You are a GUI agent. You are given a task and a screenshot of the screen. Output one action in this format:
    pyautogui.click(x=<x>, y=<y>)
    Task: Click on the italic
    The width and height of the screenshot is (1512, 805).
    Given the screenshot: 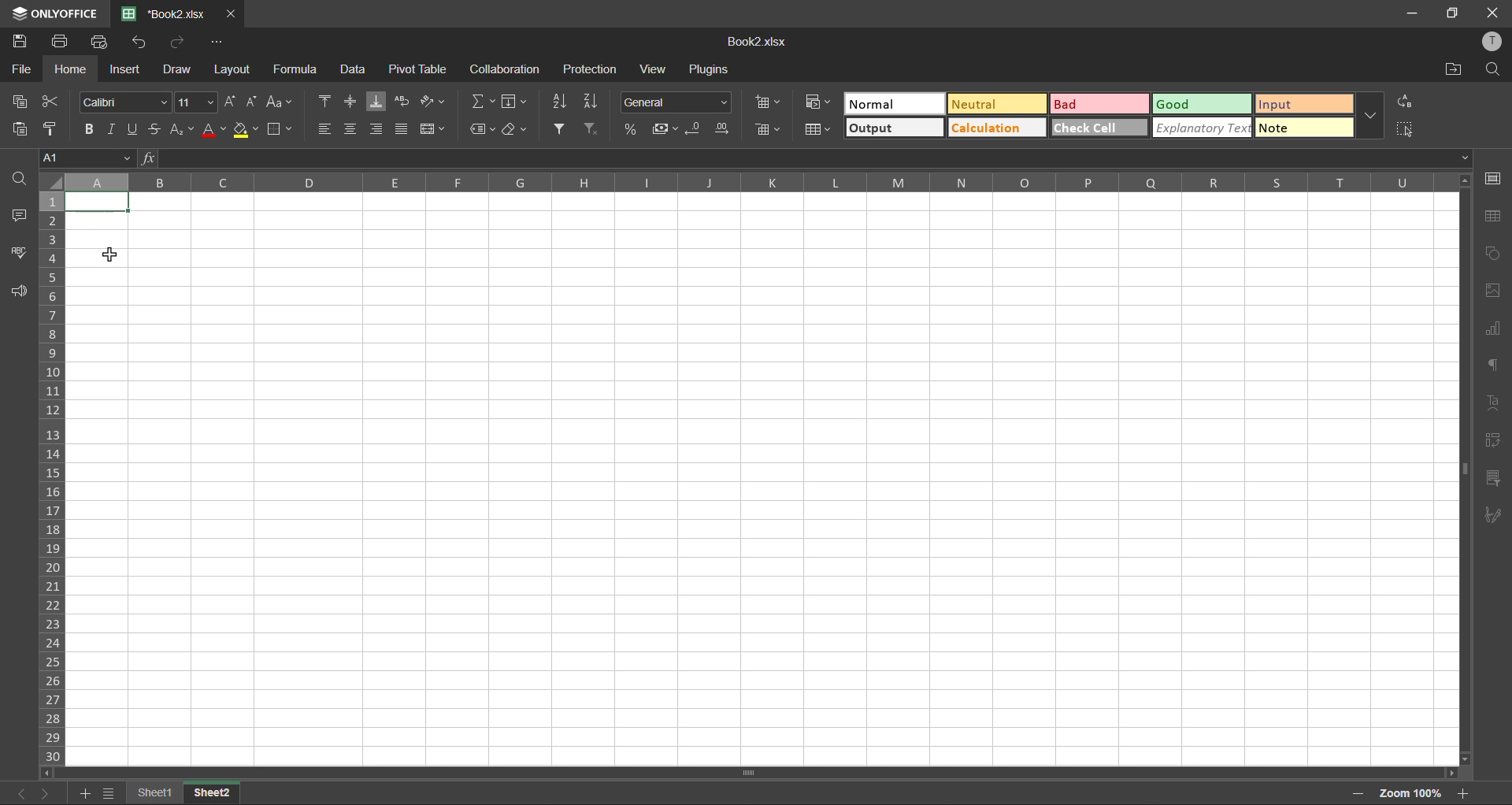 What is the action you would take?
    pyautogui.click(x=112, y=129)
    